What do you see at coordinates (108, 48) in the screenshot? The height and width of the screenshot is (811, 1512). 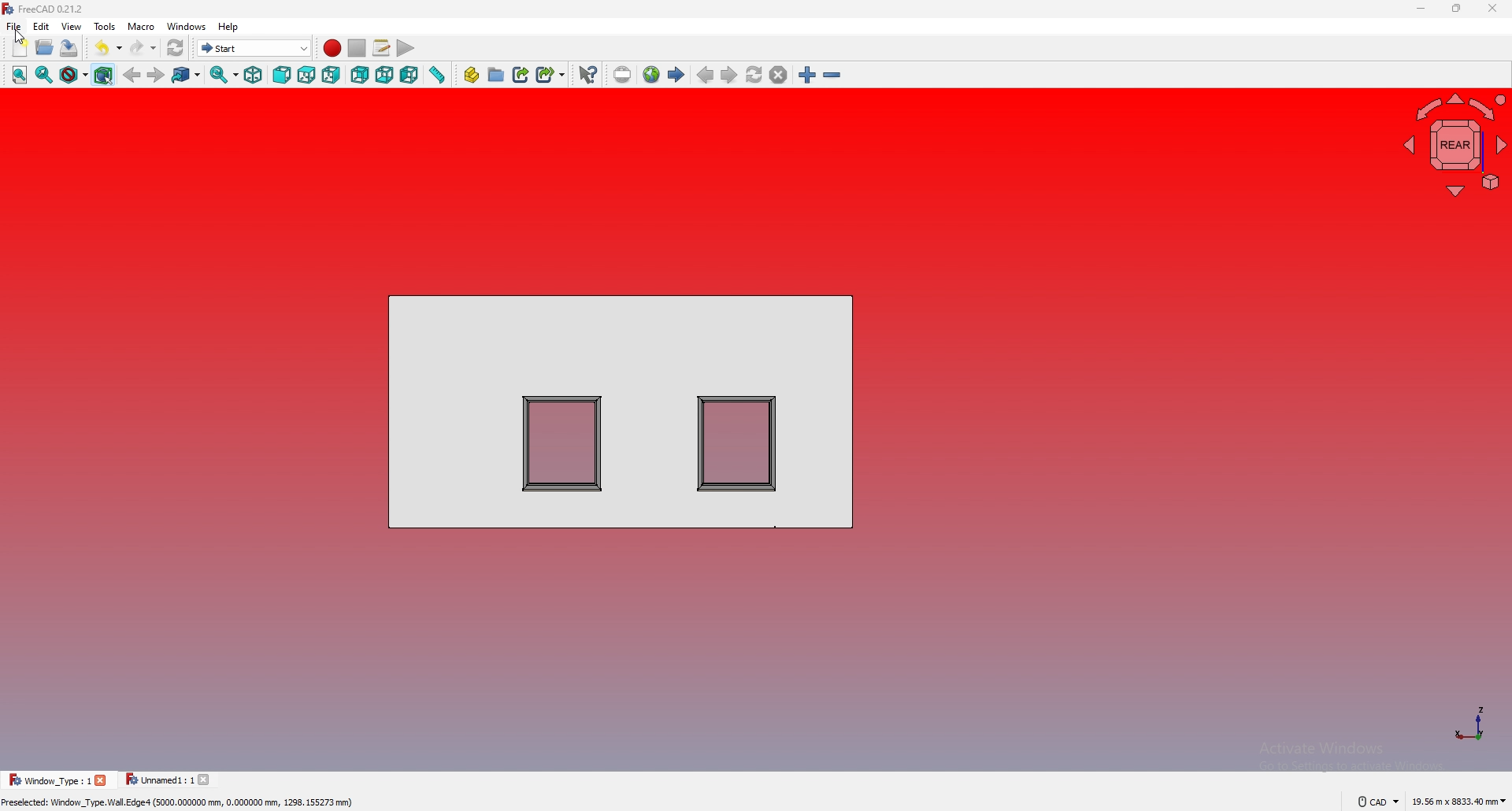 I see `undo` at bounding box center [108, 48].